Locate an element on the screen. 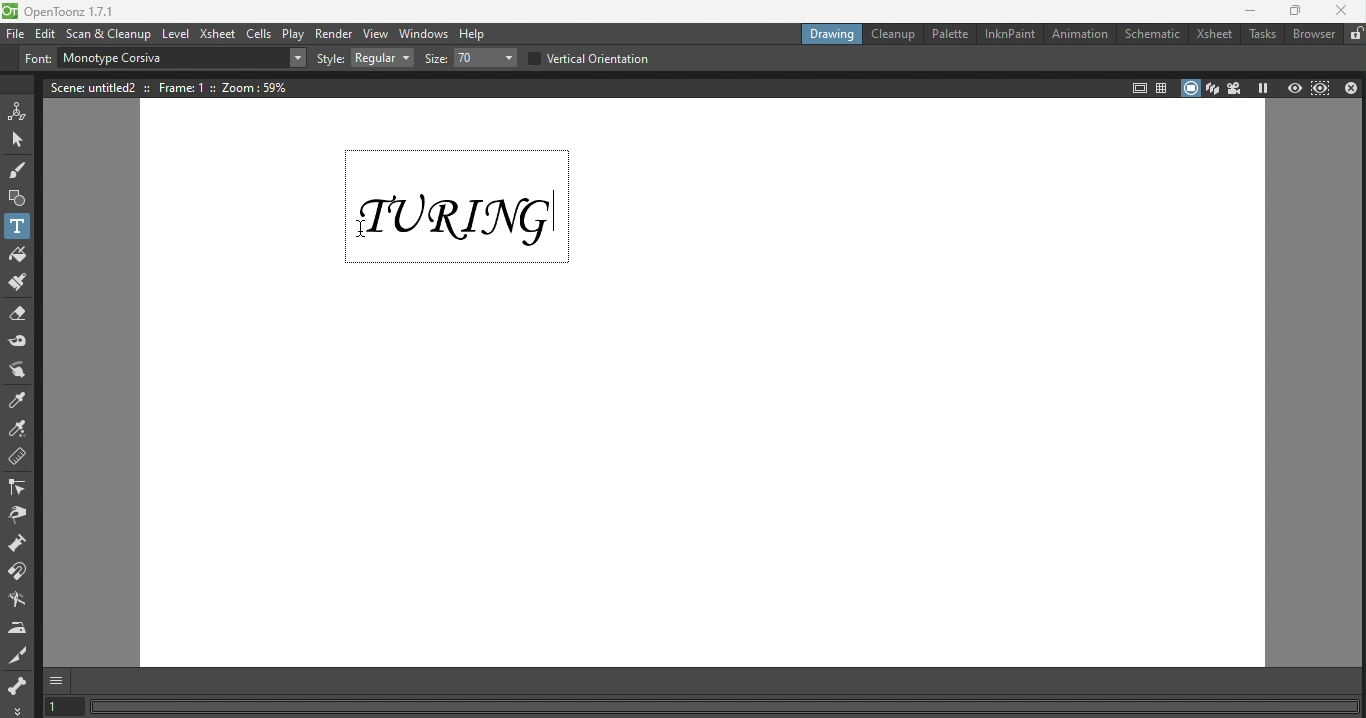  RGB picker tool is located at coordinates (20, 427).